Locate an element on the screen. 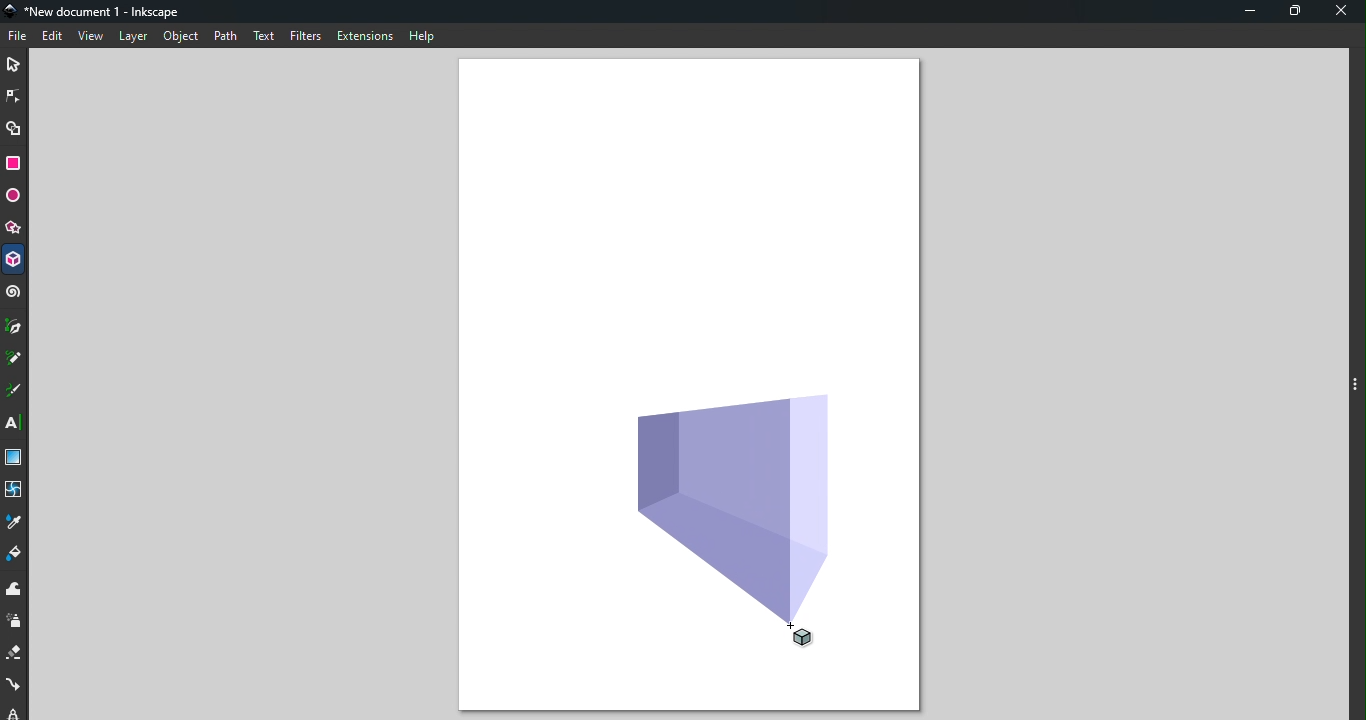 This screenshot has width=1366, height=720. Path is located at coordinates (226, 36).